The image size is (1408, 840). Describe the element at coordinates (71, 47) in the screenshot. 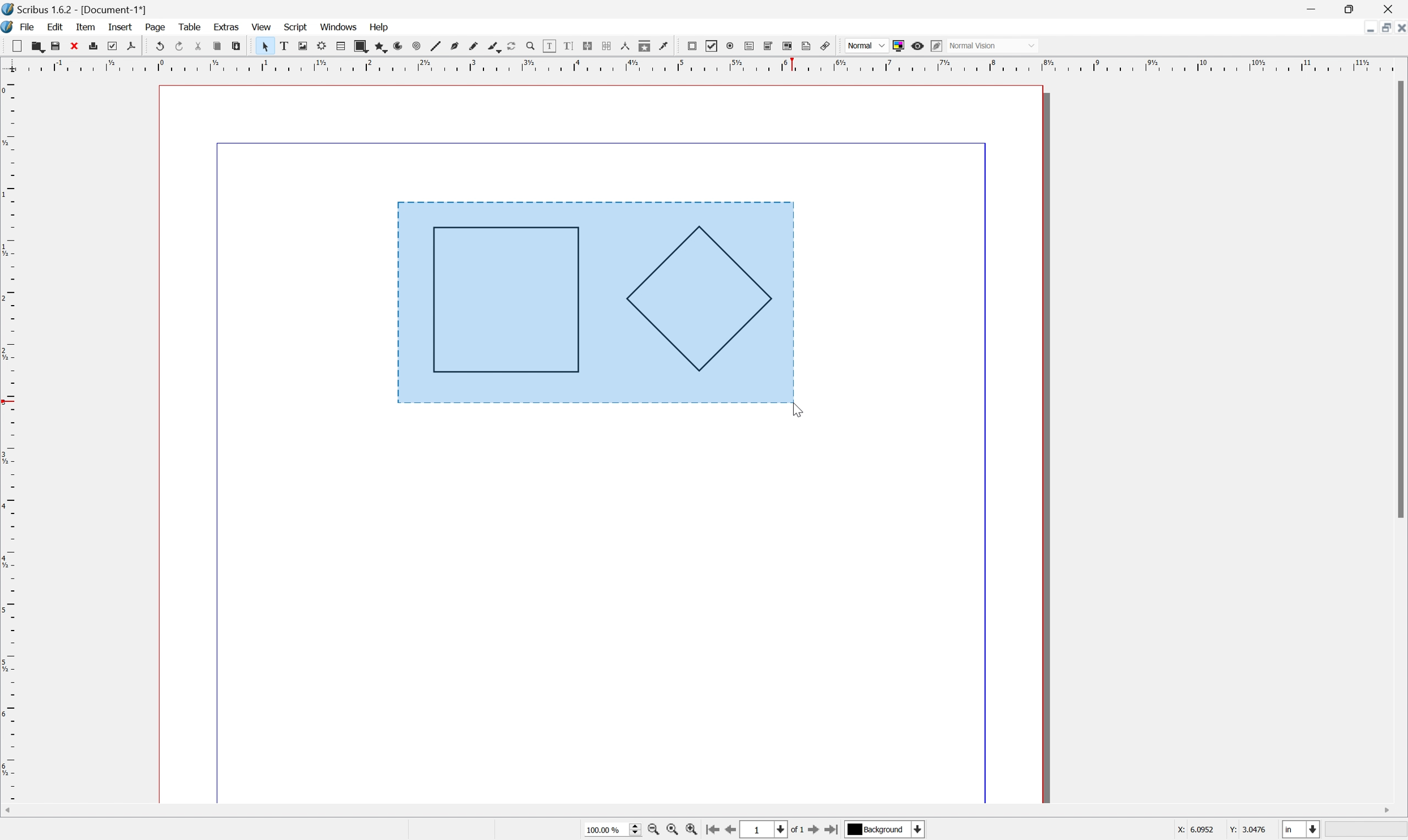

I see `close` at that location.